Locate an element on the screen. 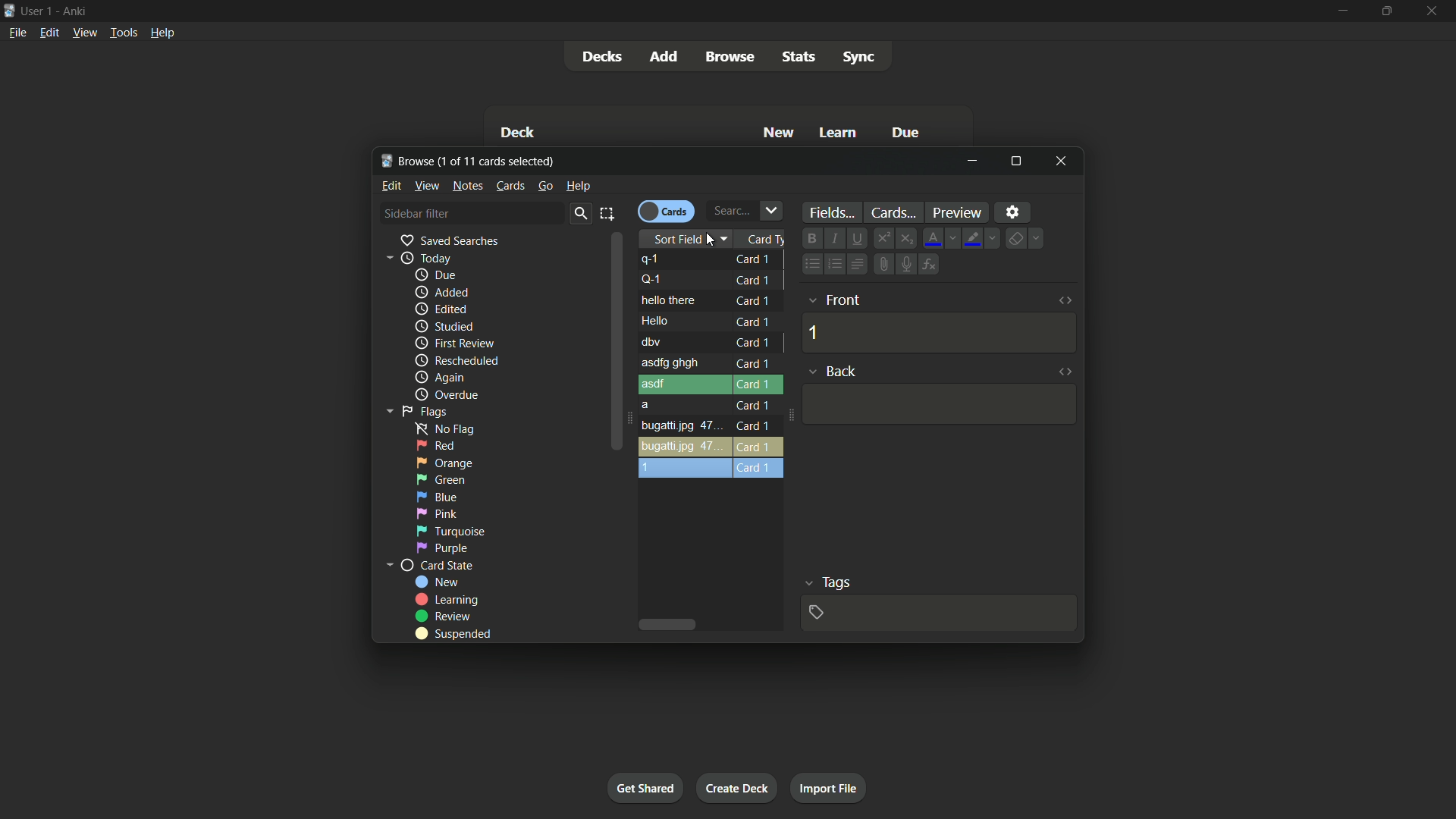  added is located at coordinates (441, 292).